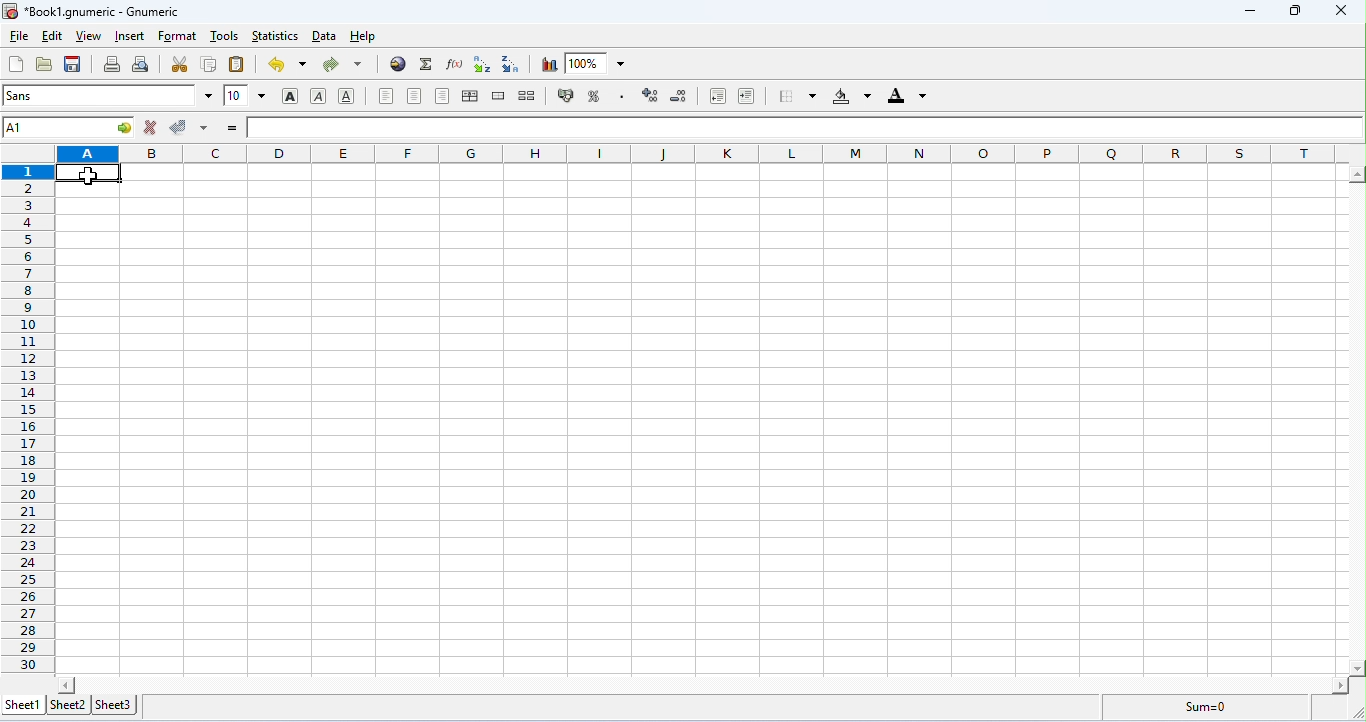 The height and width of the screenshot is (722, 1366). Describe the element at coordinates (342, 65) in the screenshot. I see `redo` at that location.